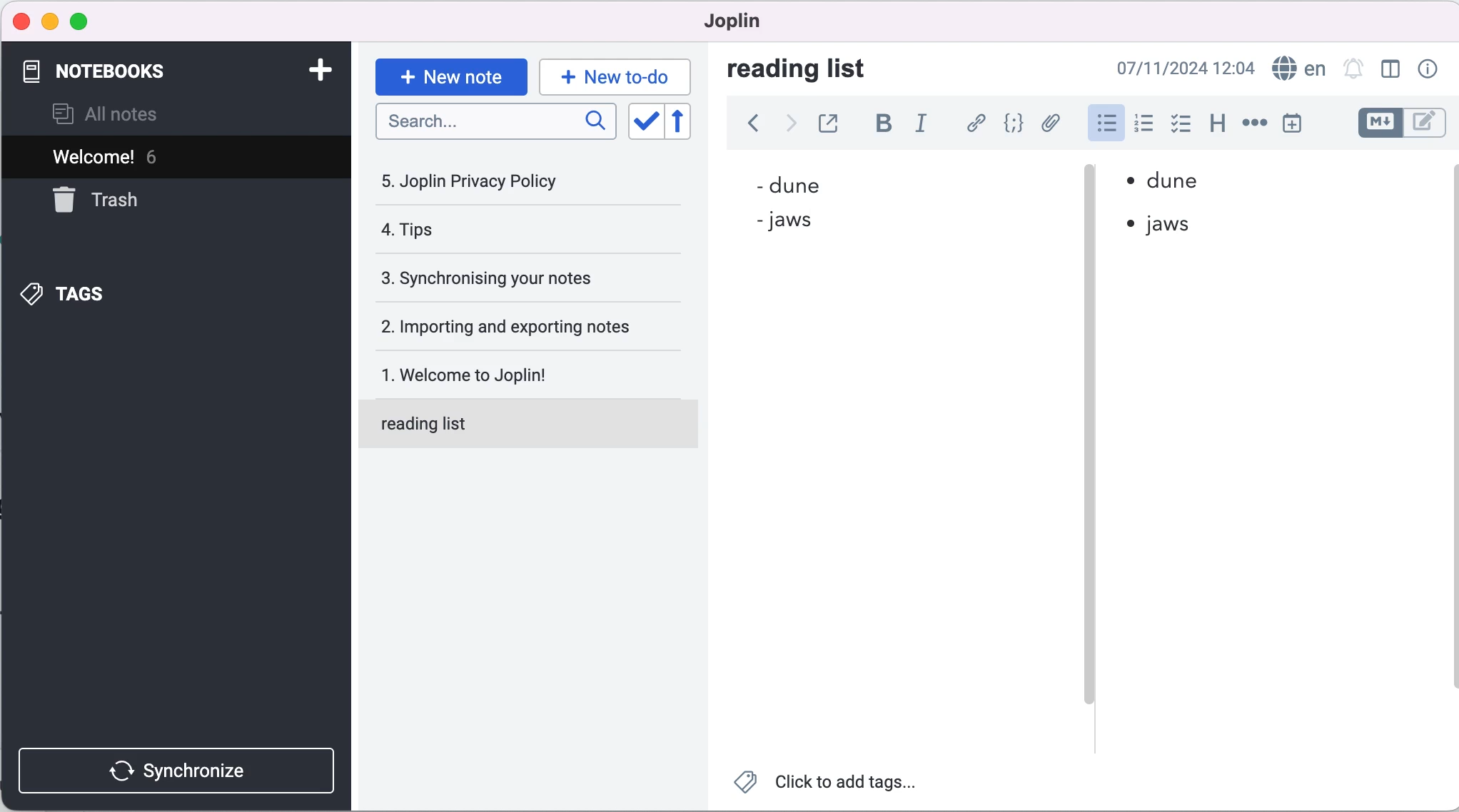  What do you see at coordinates (1089, 450) in the screenshot?
I see `vertical slider` at bounding box center [1089, 450].